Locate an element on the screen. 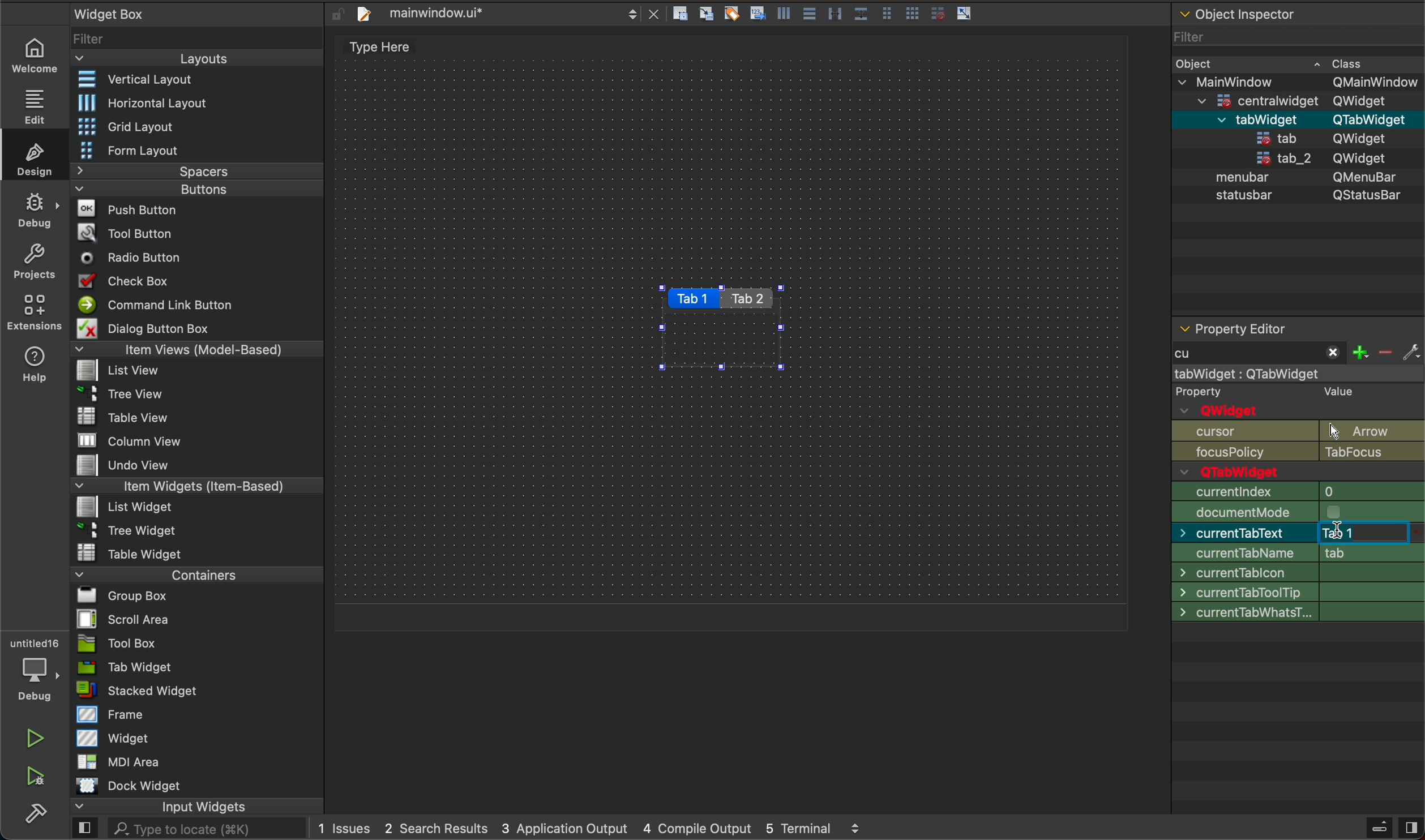 This screenshot has width=1425, height=840. =centralwidaet OWidaet is located at coordinates (1294, 98).